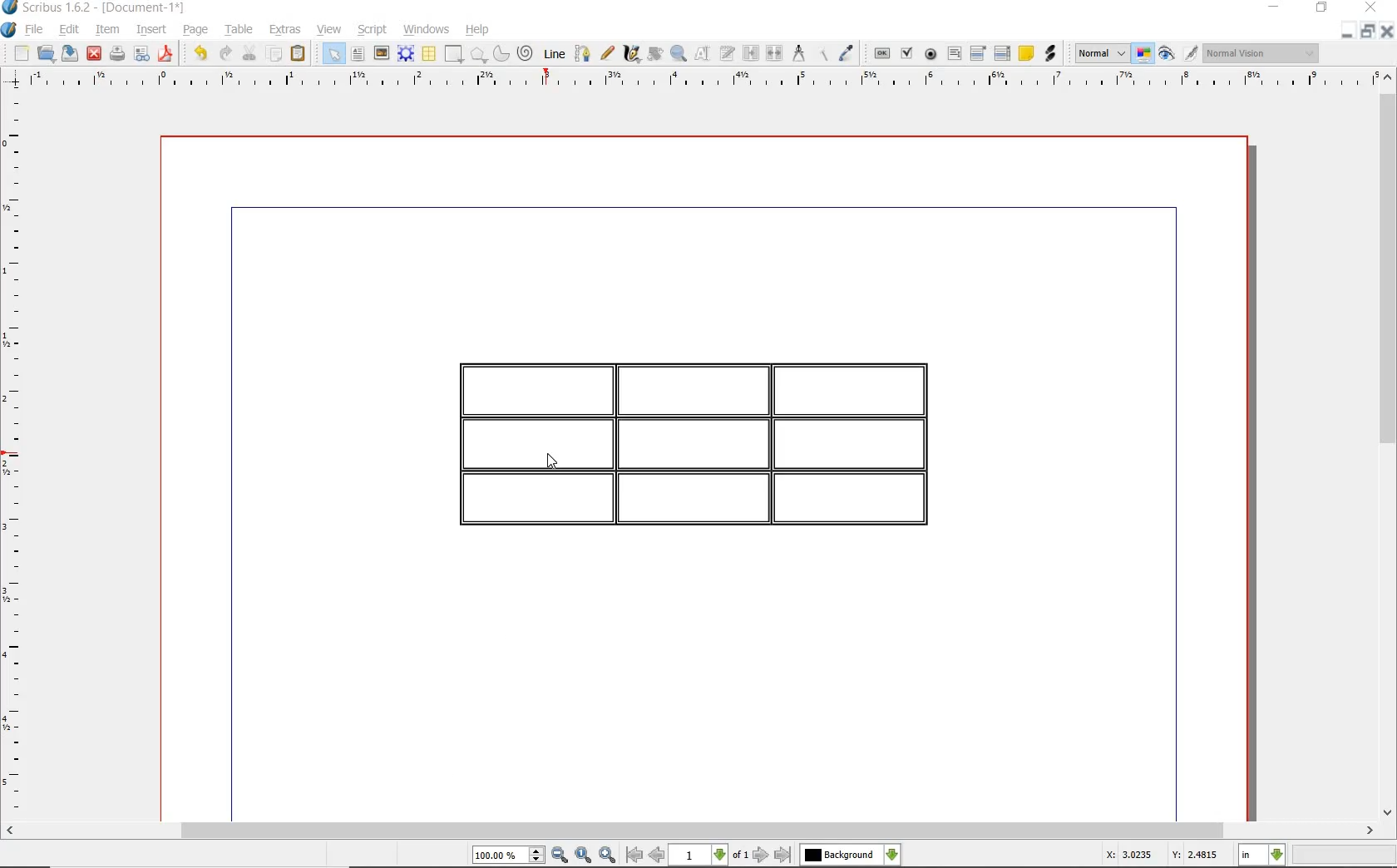 This screenshot has width=1397, height=868. Describe the element at coordinates (140, 55) in the screenshot. I see `preflight verifier` at that location.